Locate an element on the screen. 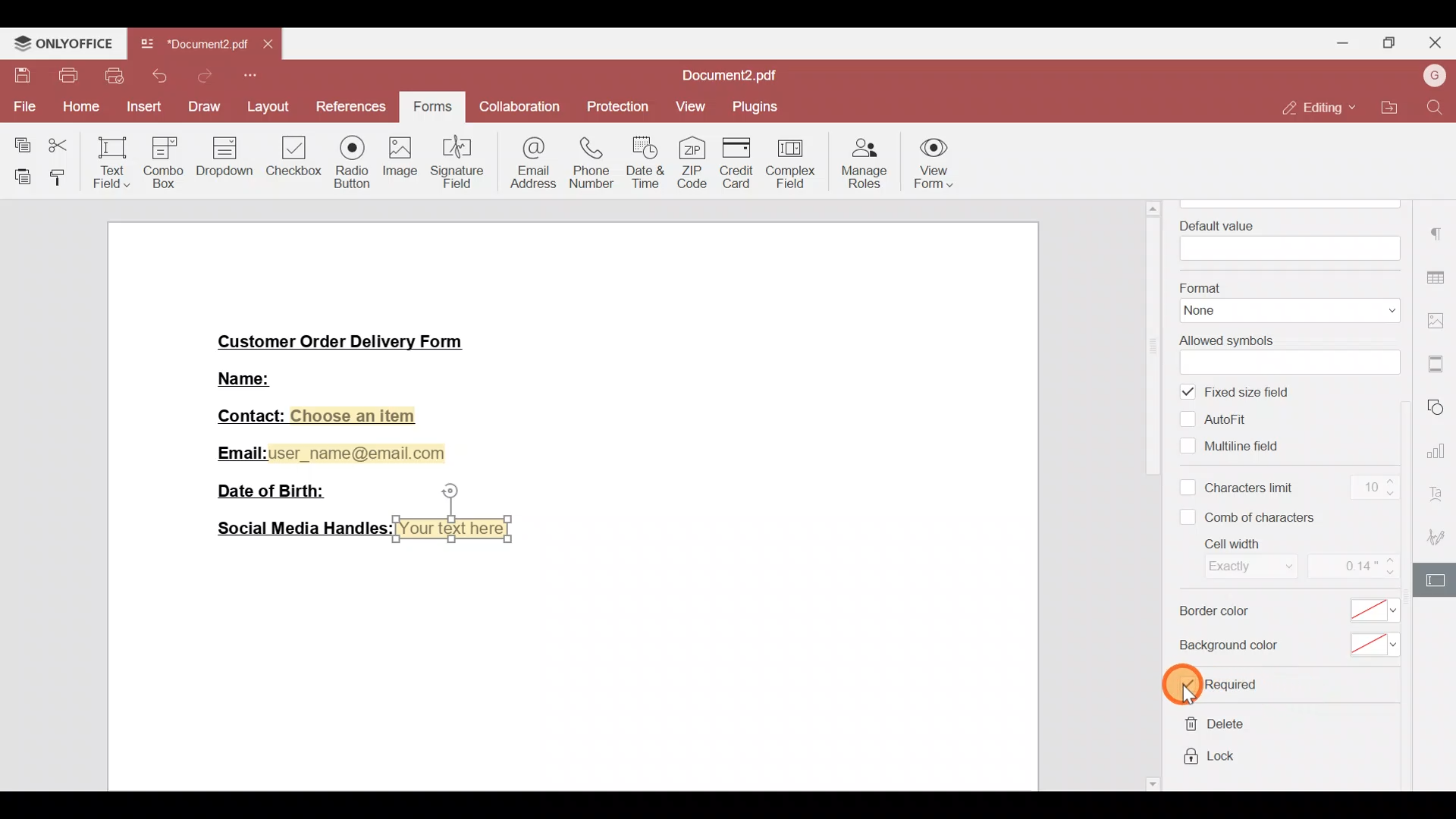  Cell width is located at coordinates (1236, 559).